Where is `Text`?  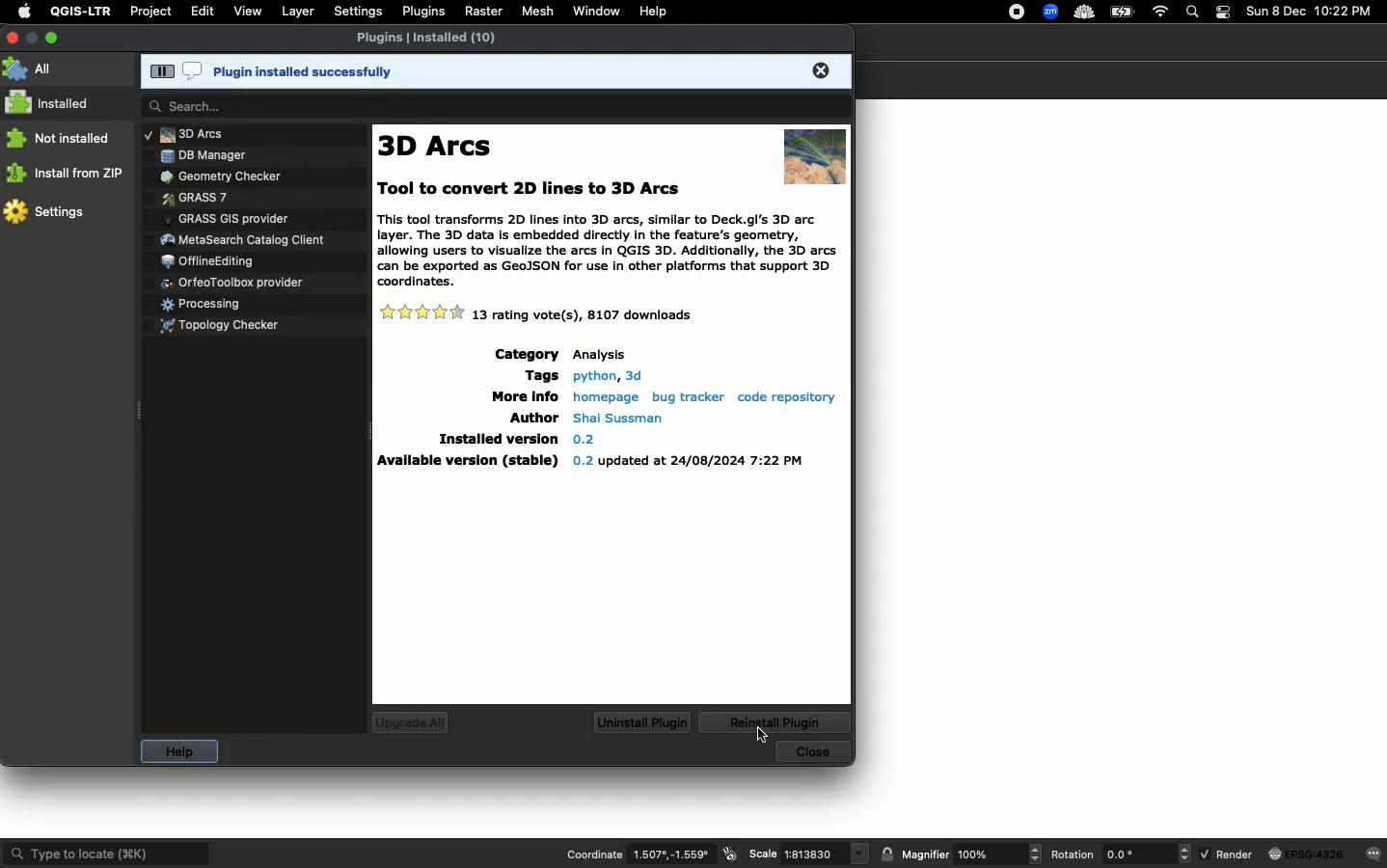 Text is located at coordinates (603, 255).